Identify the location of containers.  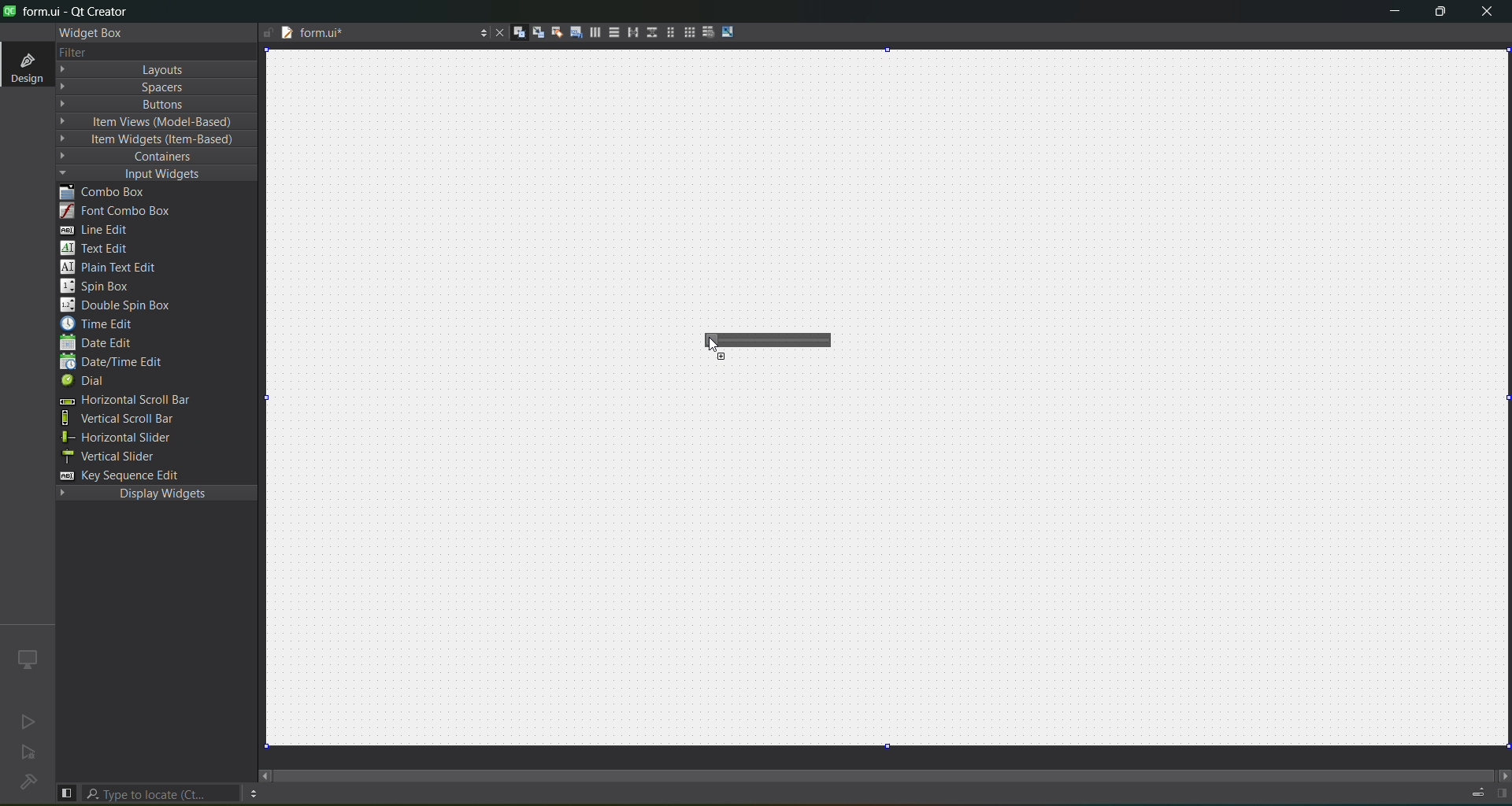
(141, 157).